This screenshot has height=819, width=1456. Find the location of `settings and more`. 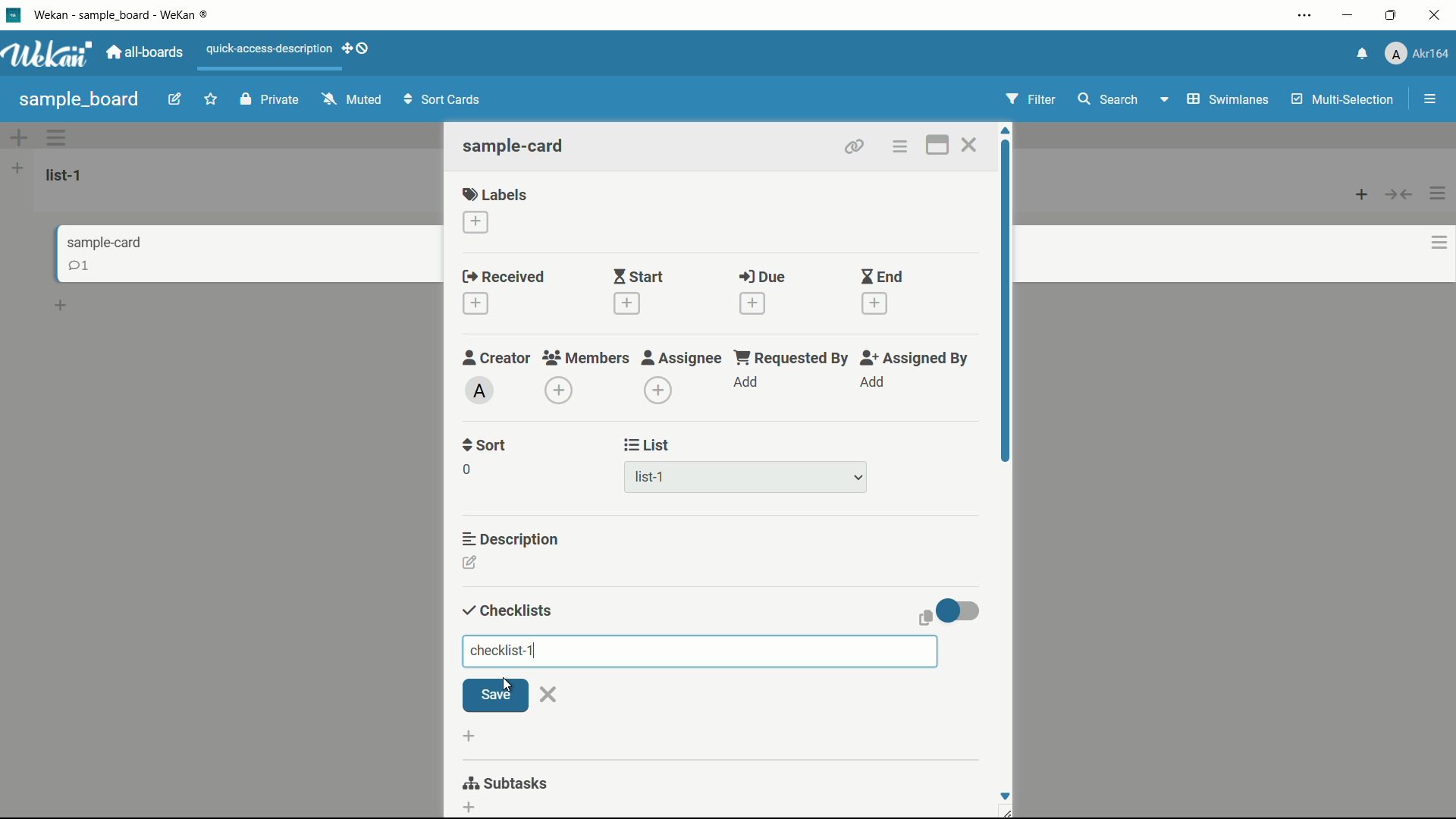

settings and more is located at coordinates (1305, 17).